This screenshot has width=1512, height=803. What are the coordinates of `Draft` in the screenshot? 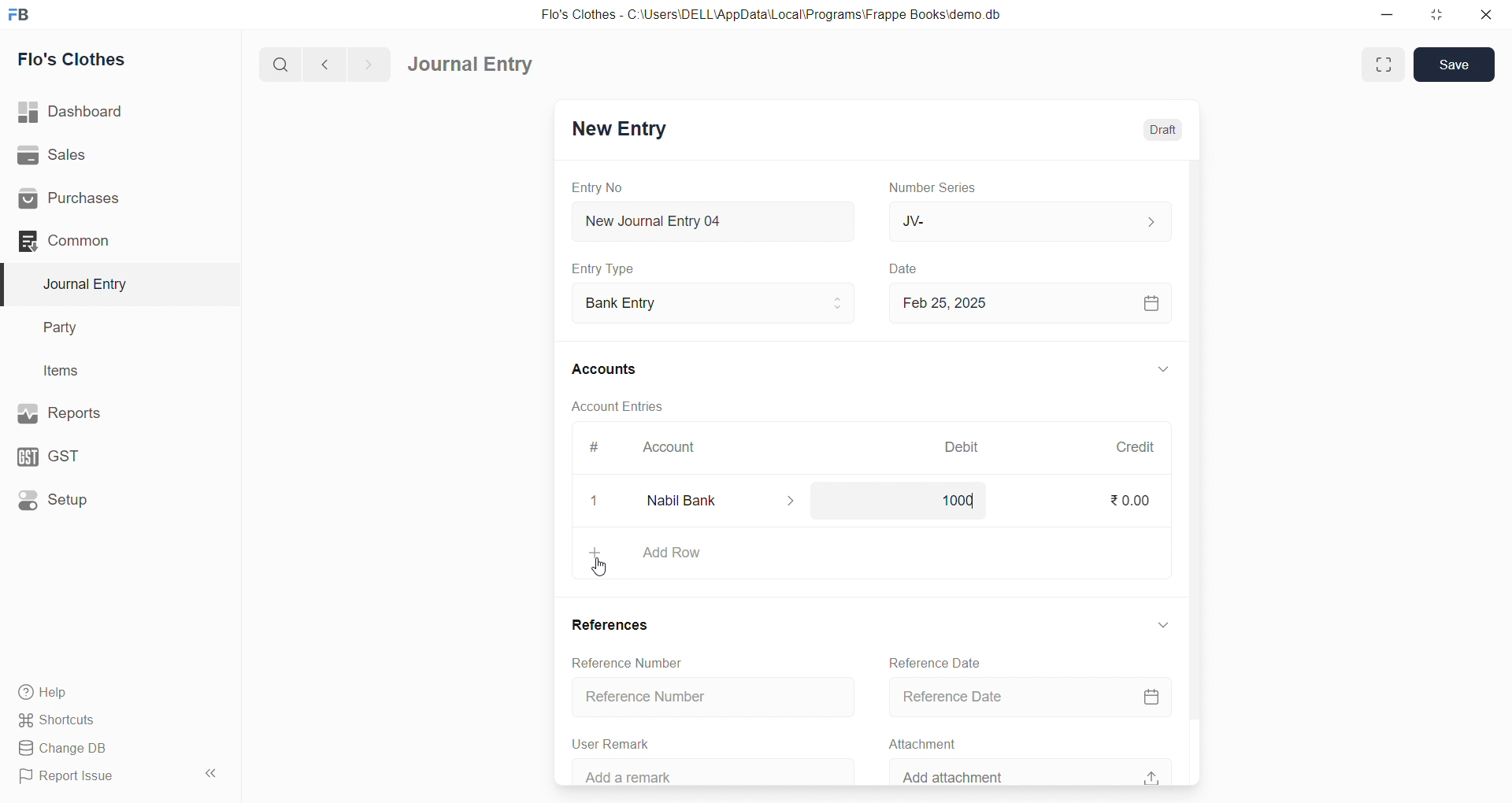 It's located at (1153, 130).